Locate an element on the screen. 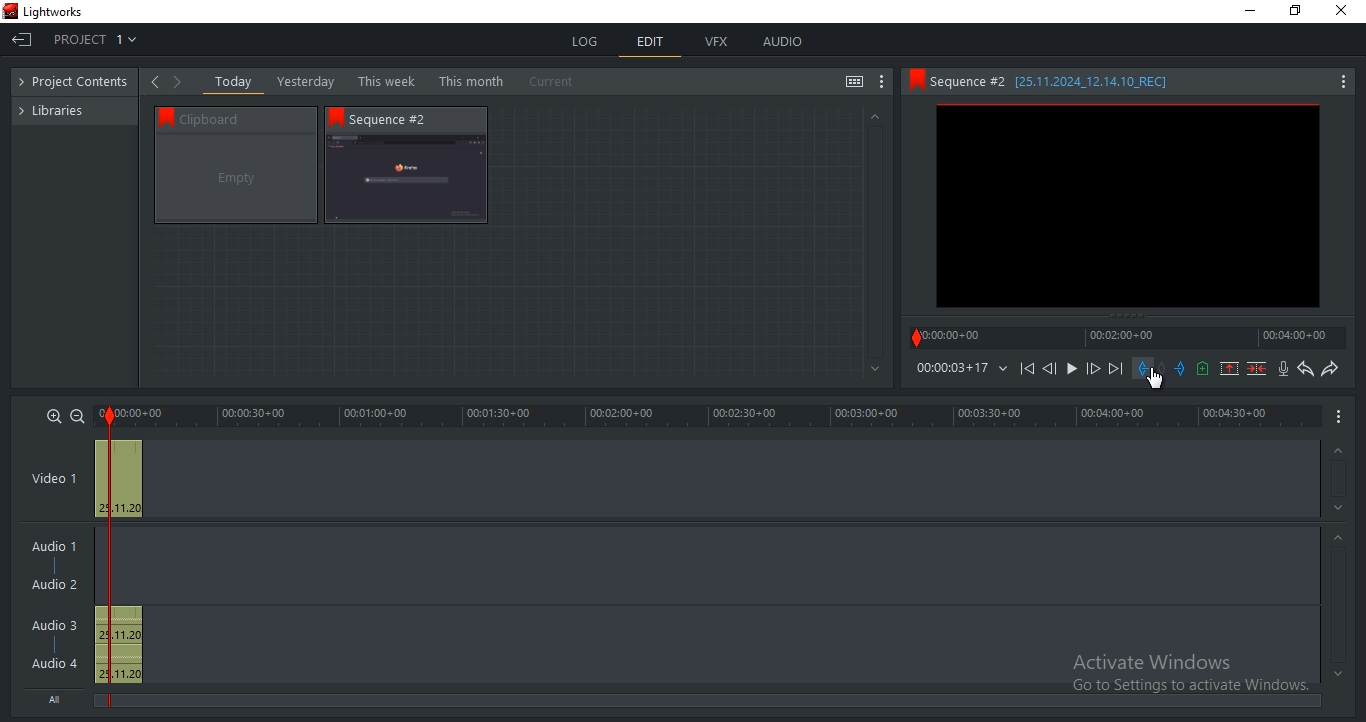 This screenshot has width=1366, height=722. Navigate right options is located at coordinates (181, 82).